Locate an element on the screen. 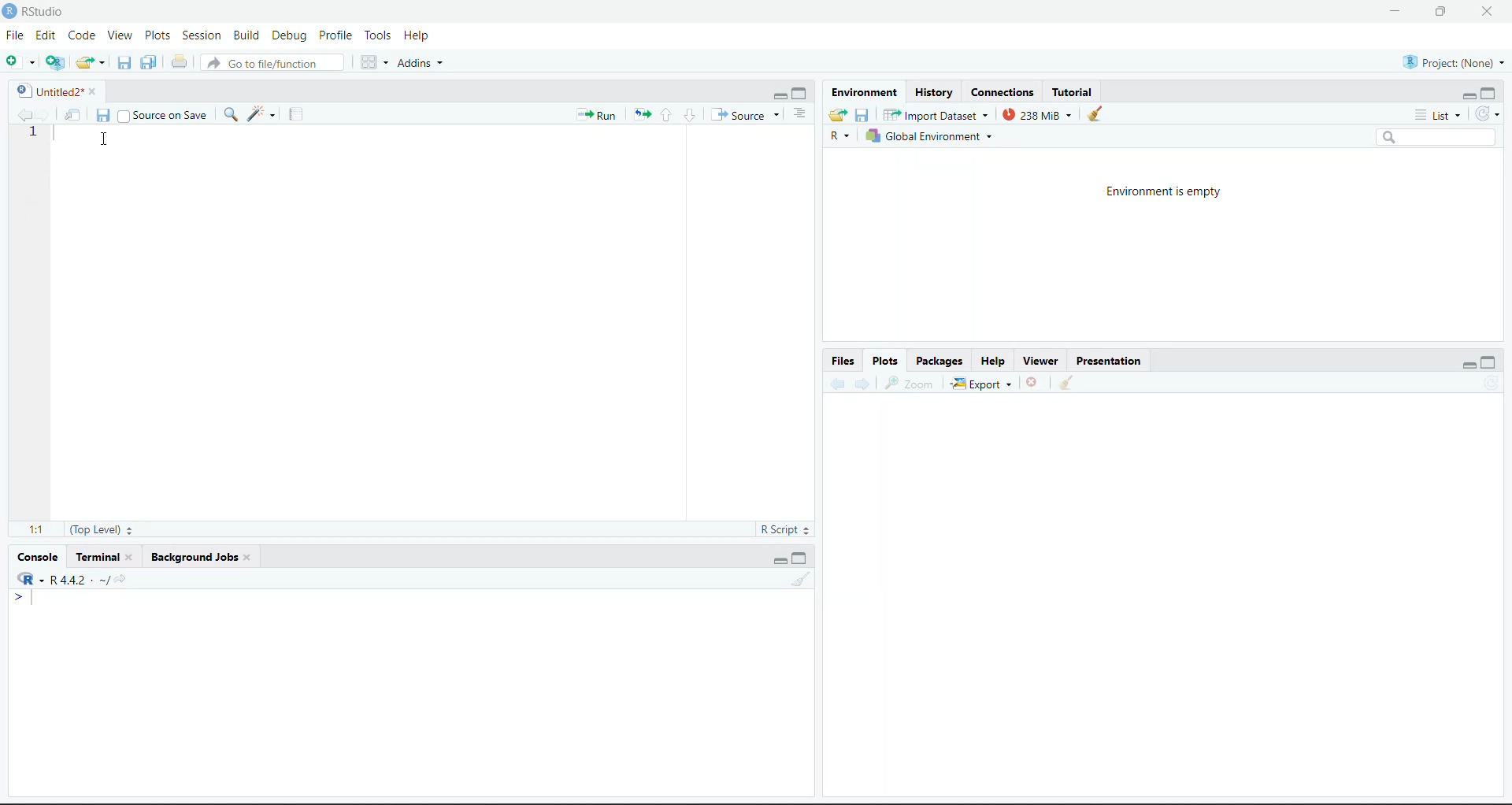  Export is located at coordinates (982, 384).